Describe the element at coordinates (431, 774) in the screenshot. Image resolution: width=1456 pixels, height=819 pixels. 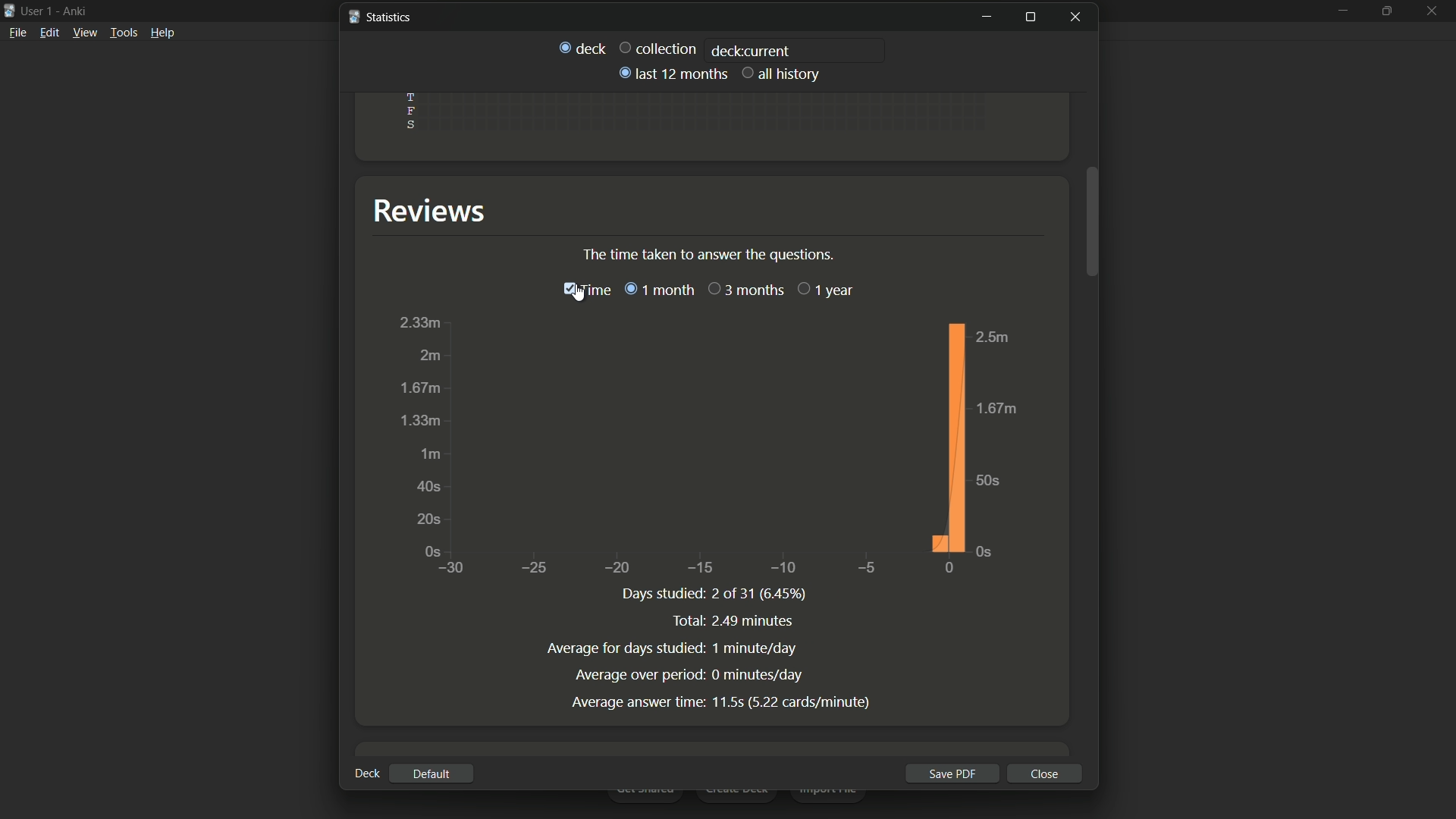
I see `default` at that location.